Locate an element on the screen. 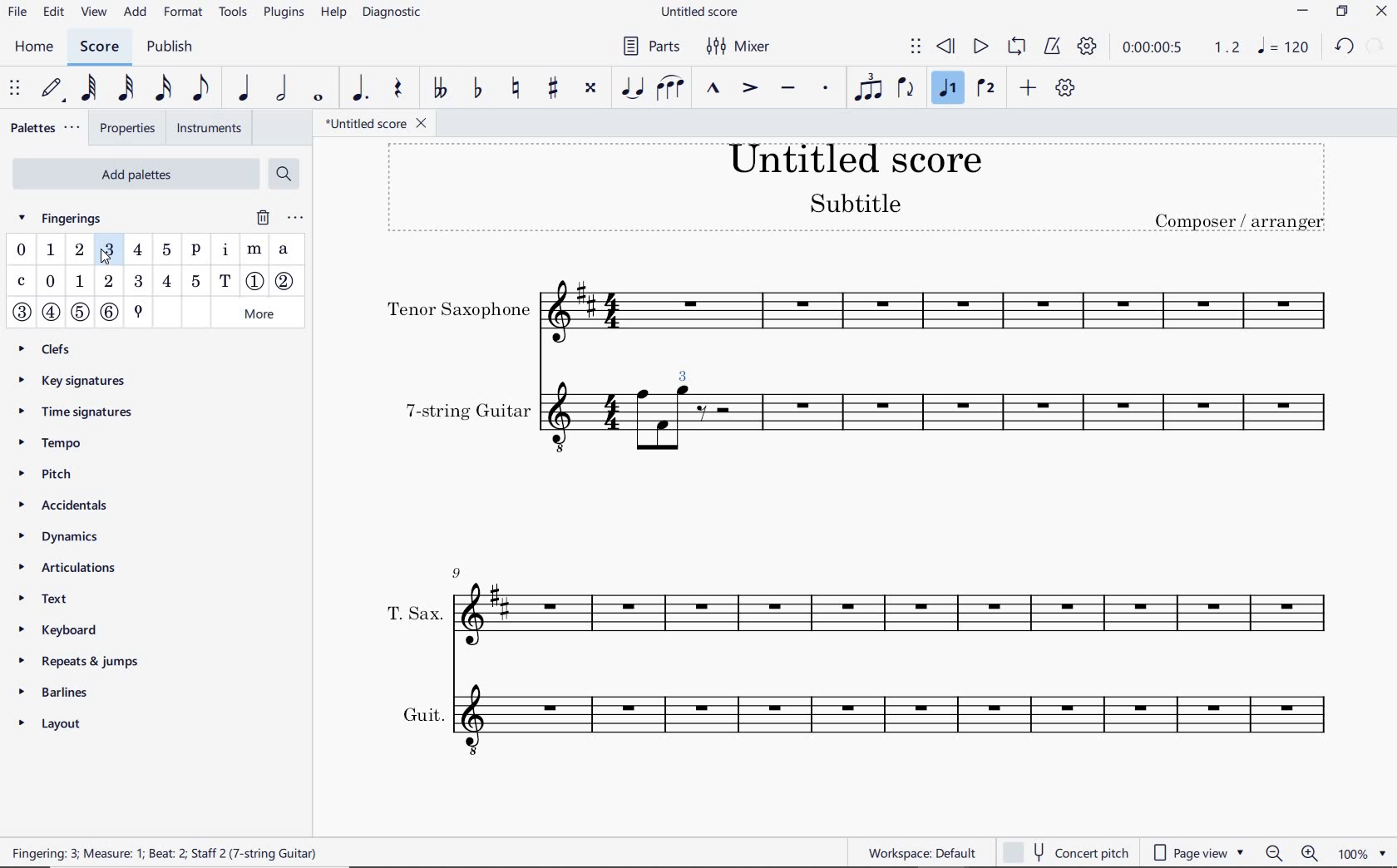  TITLE is located at coordinates (856, 189).